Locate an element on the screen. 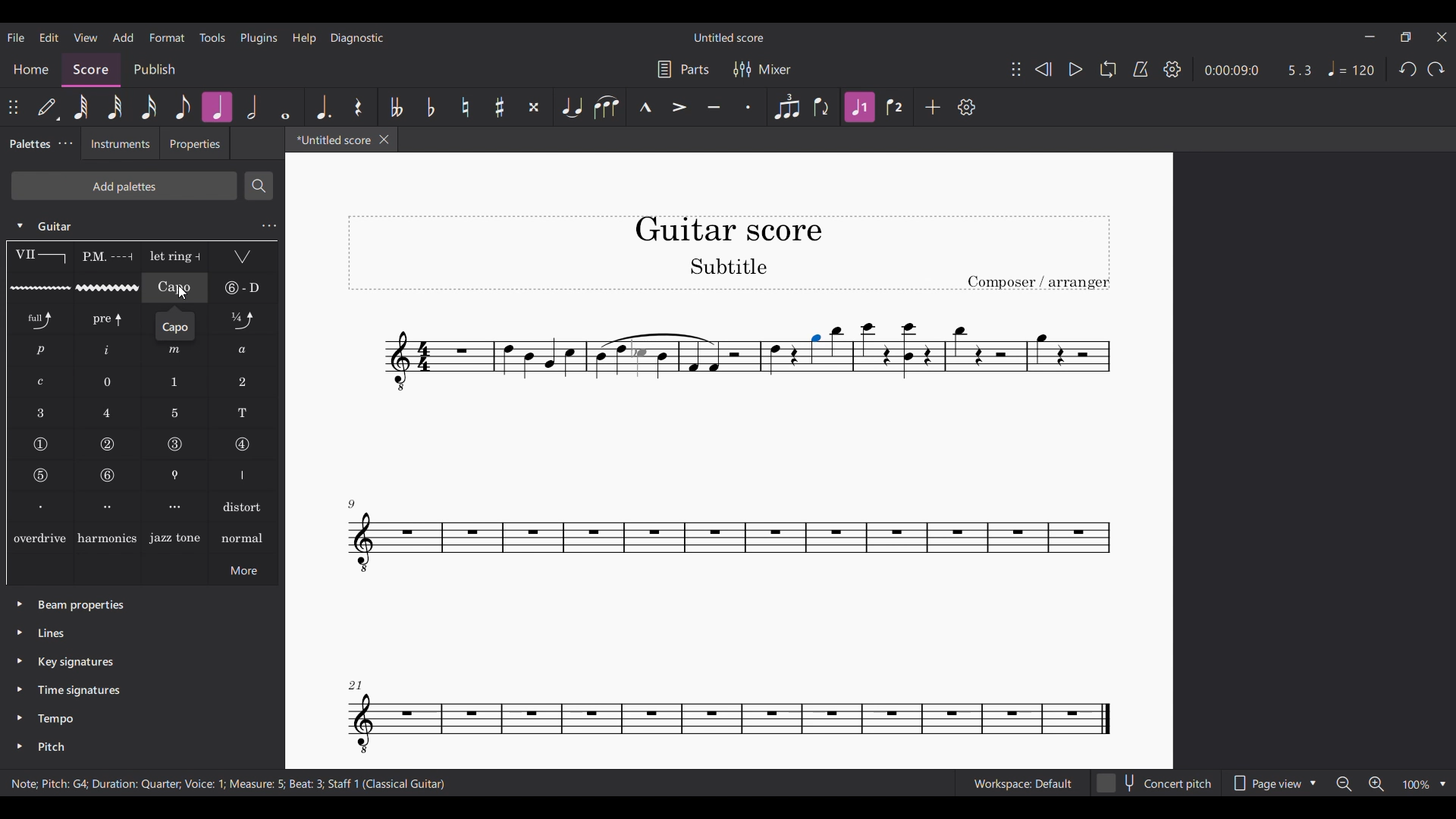  Tie is located at coordinates (570, 107).